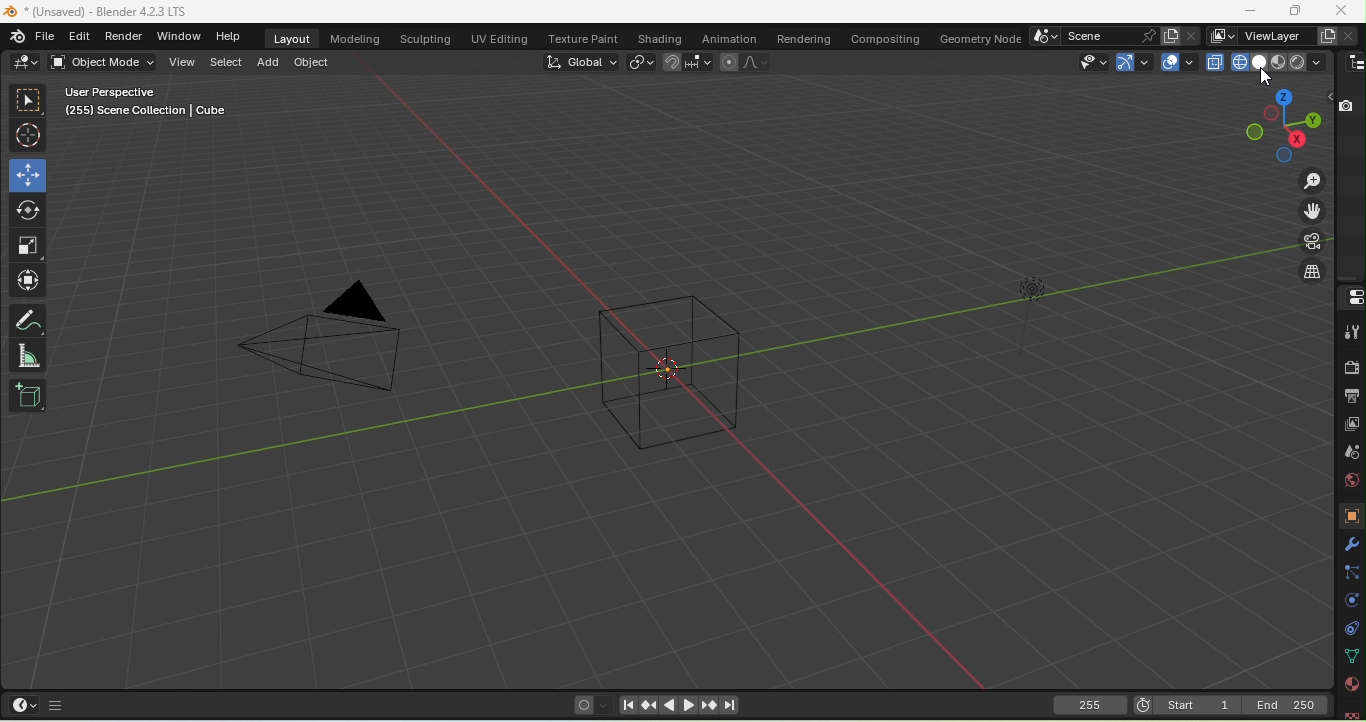 The height and width of the screenshot is (722, 1366). What do you see at coordinates (802, 38) in the screenshot?
I see `Rendering` at bounding box center [802, 38].